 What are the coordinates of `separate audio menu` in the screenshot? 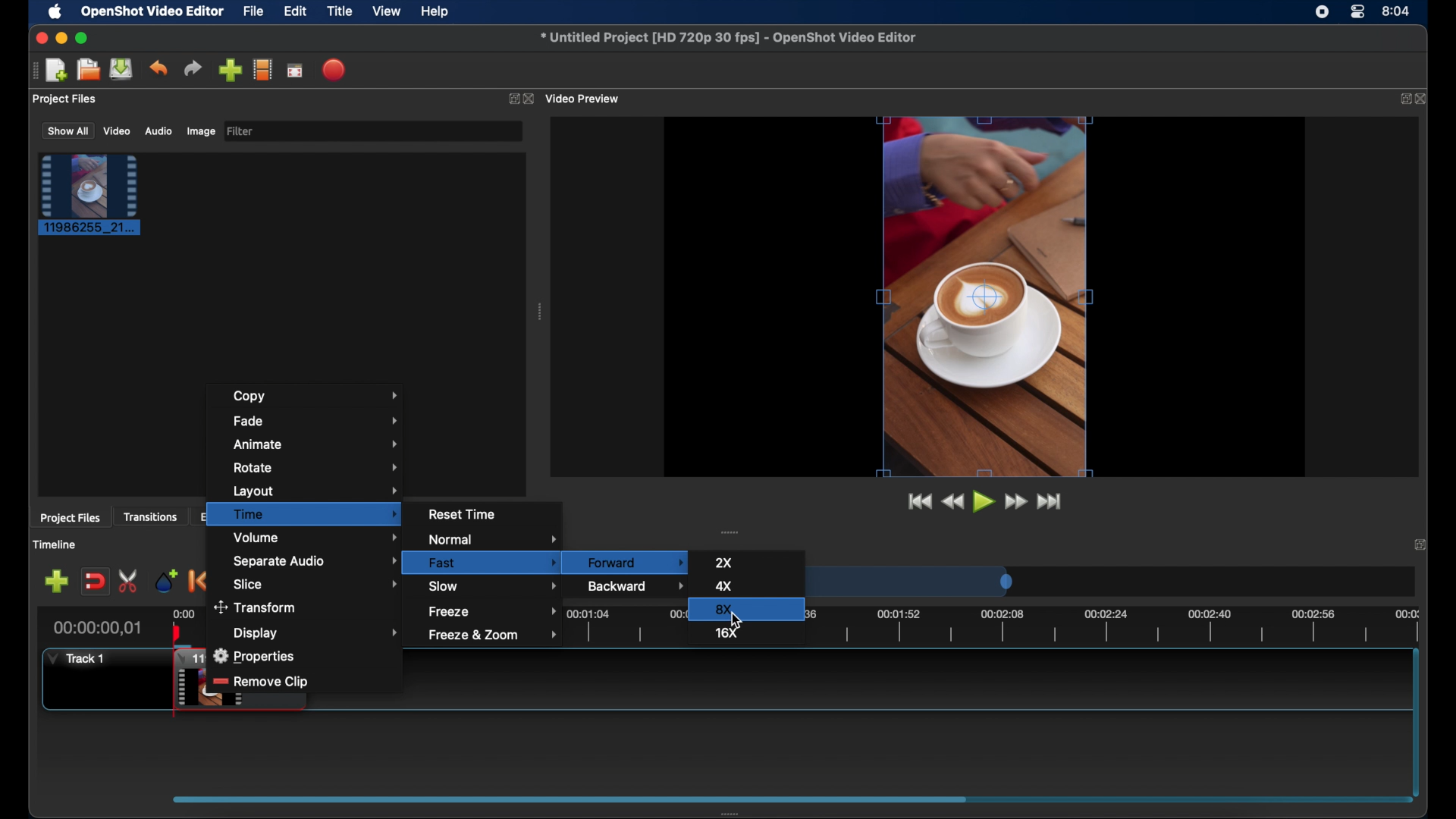 It's located at (318, 560).